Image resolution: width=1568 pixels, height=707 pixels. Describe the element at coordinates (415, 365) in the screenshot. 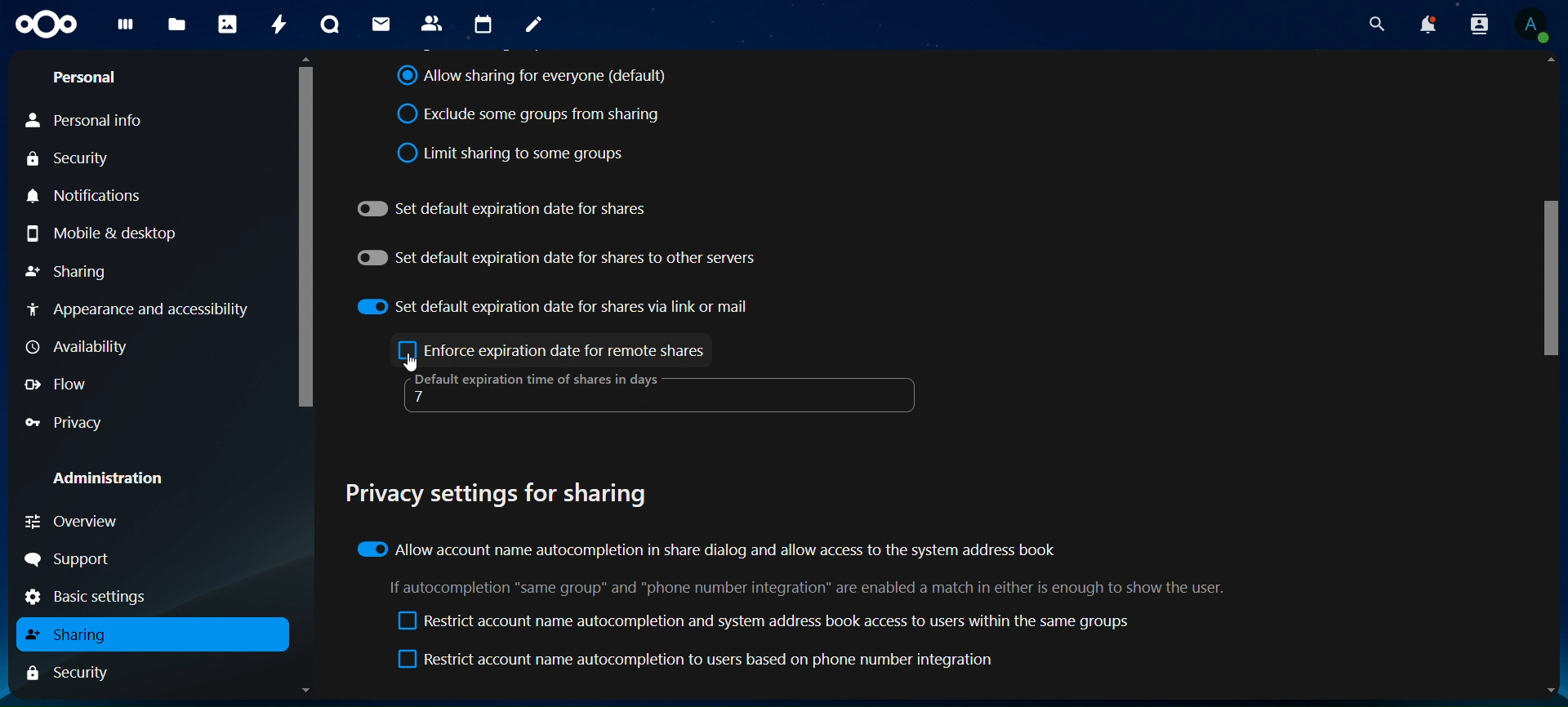

I see `Cursor` at that location.